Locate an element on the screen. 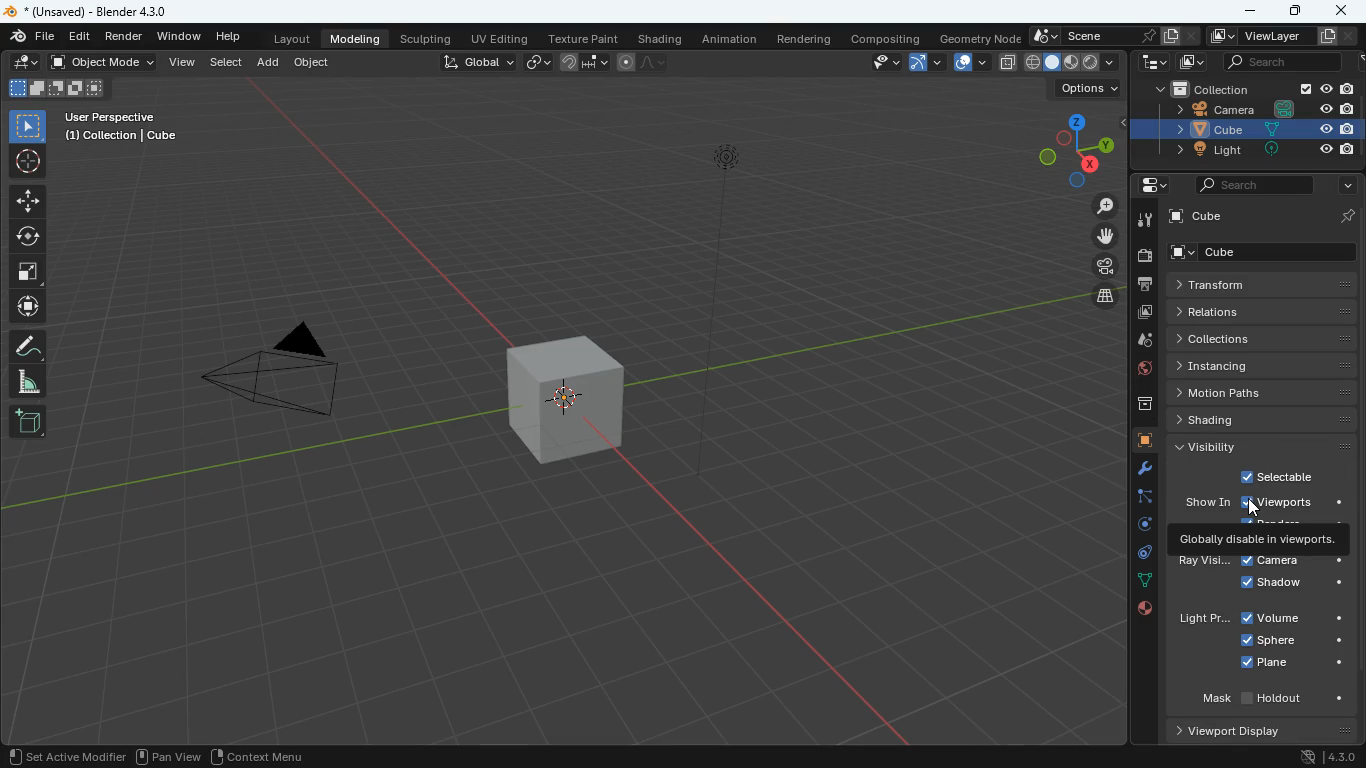 This screenshot has height=768, width=1366. pan view is located at coordinates (166, 755).